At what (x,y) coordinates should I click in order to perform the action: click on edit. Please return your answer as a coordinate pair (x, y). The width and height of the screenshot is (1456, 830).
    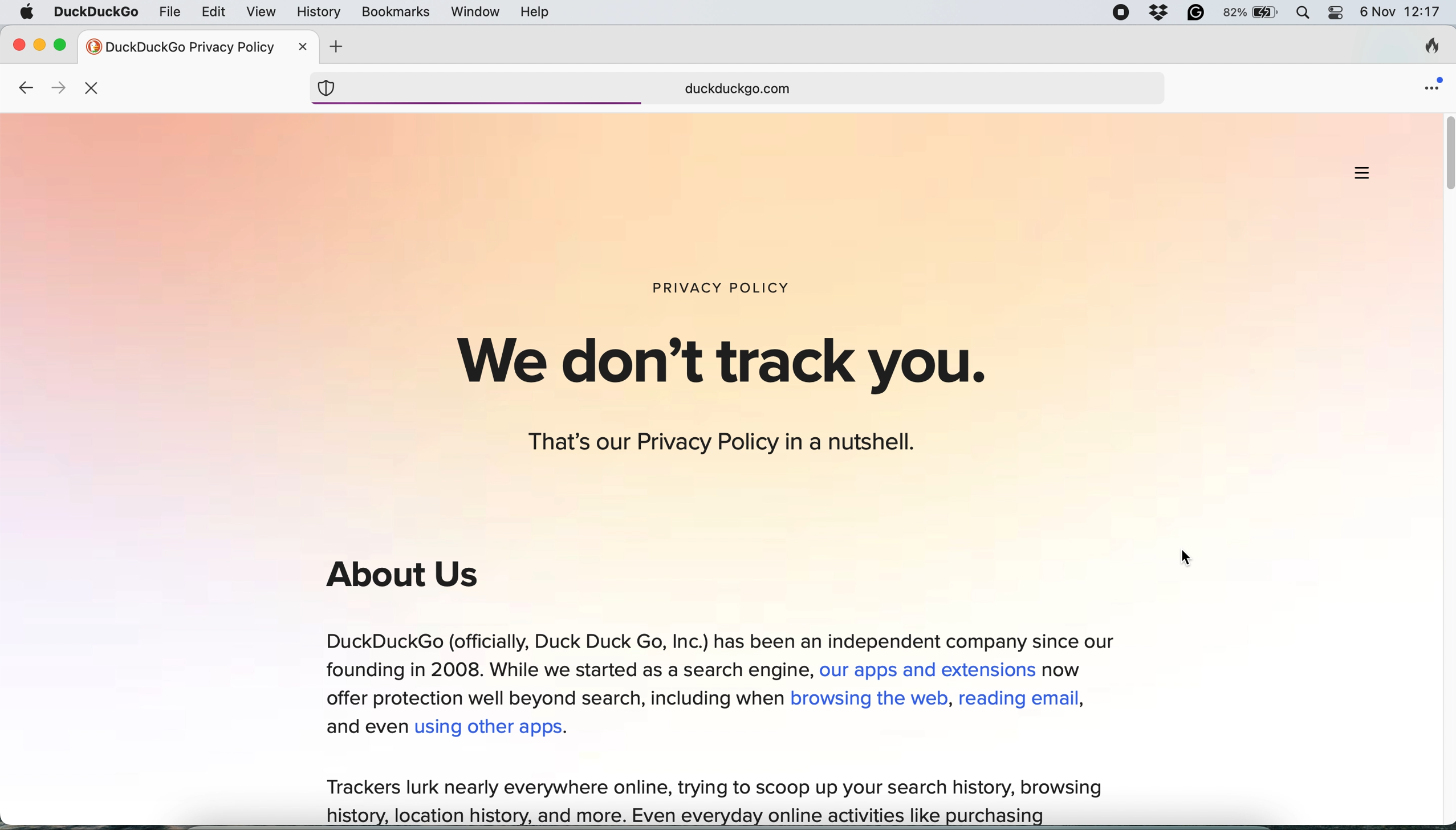
    Looking at the image, I should click on (213, 13).